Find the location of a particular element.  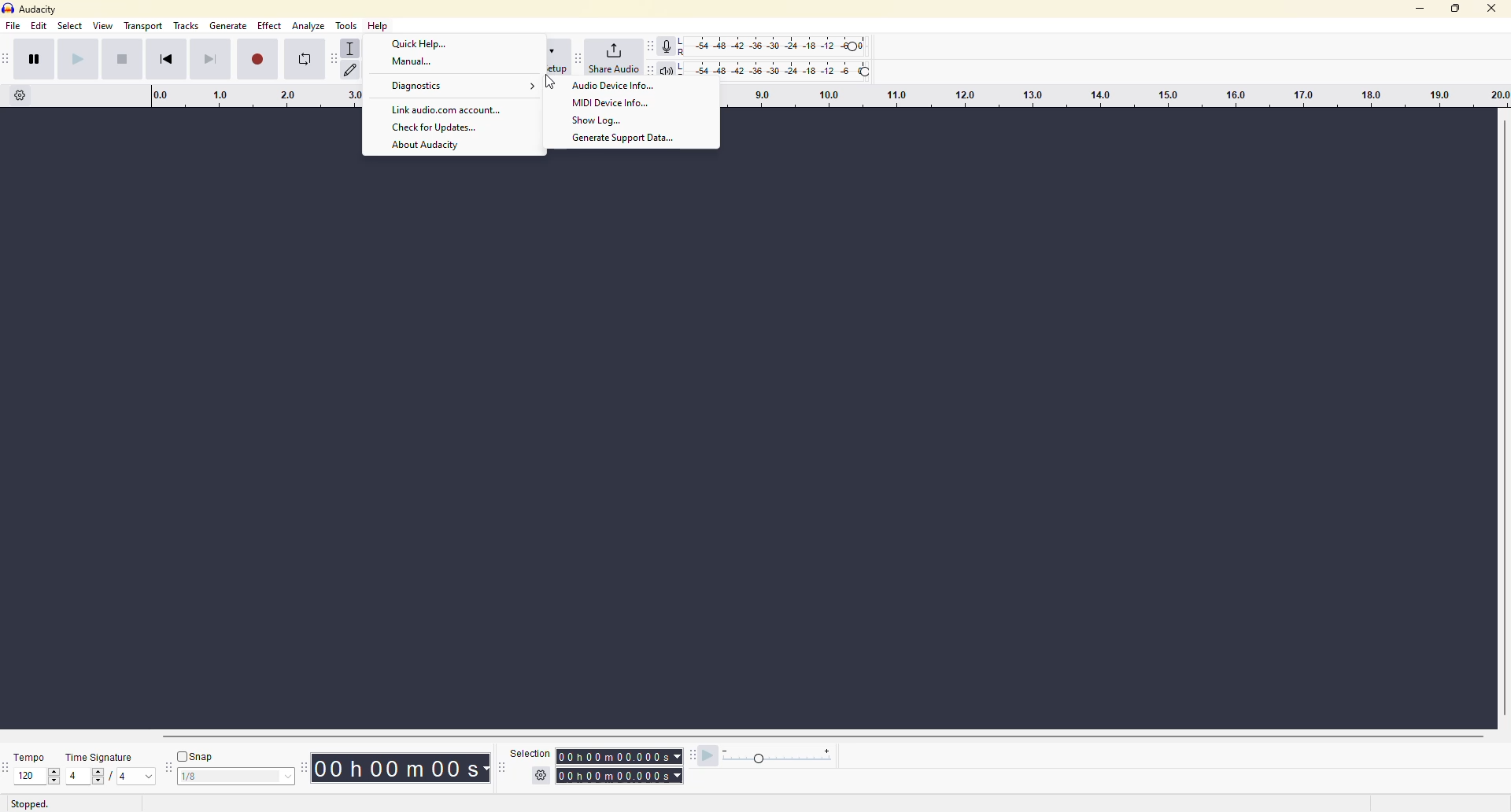

enable looping is located at coordinates (305, 62).